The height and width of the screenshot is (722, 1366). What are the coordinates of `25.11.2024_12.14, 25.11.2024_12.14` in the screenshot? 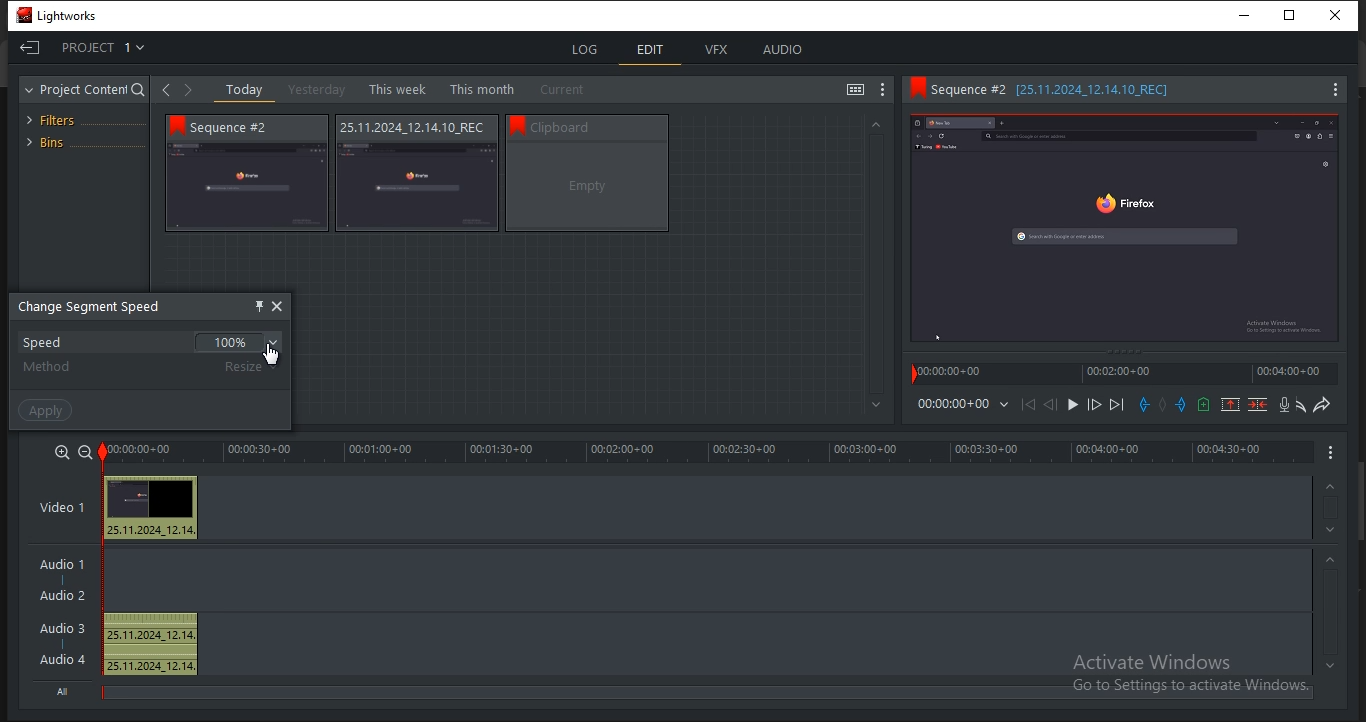 It's located at (154, 645).